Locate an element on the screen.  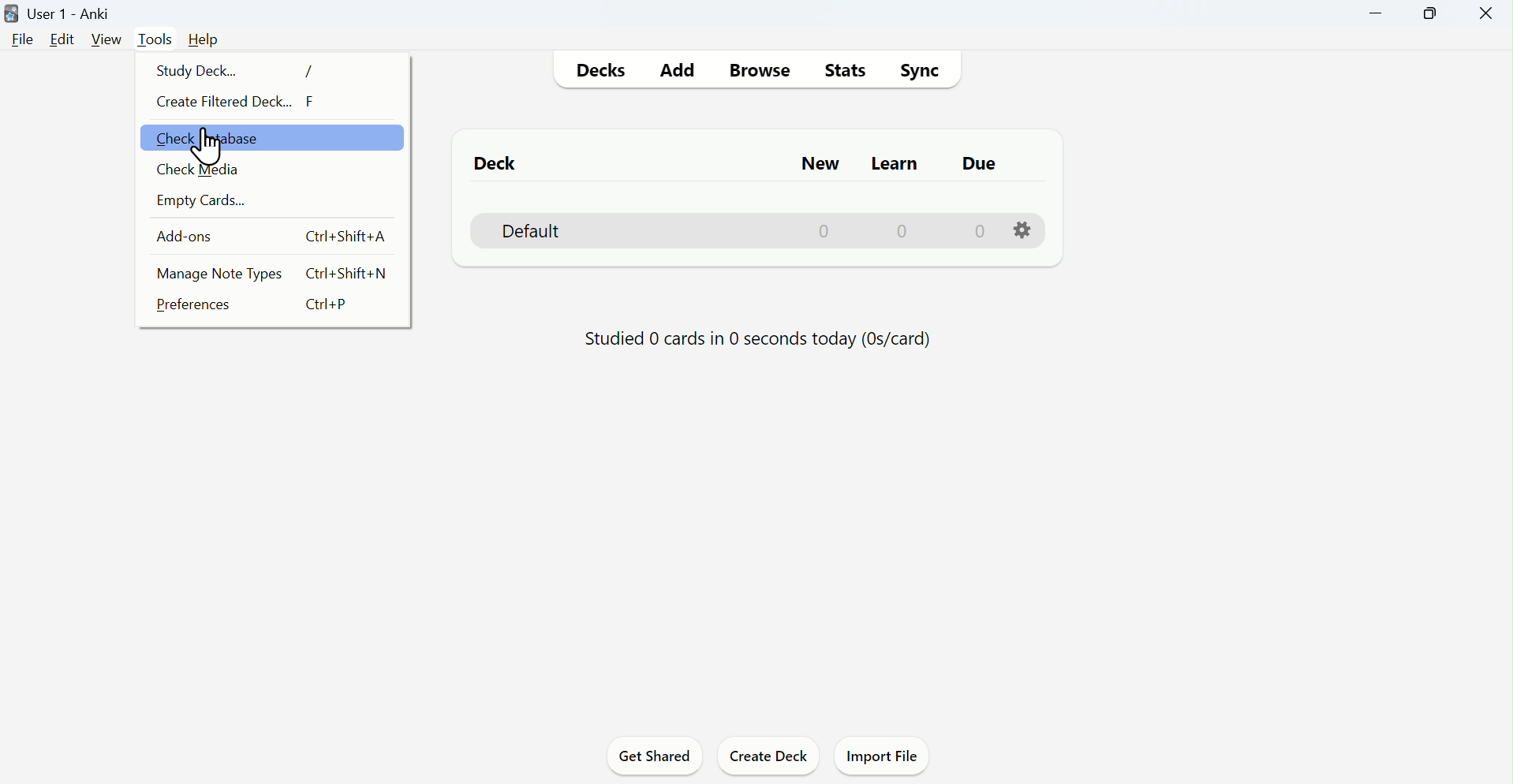
Deck is located at coordinates (510, 162).